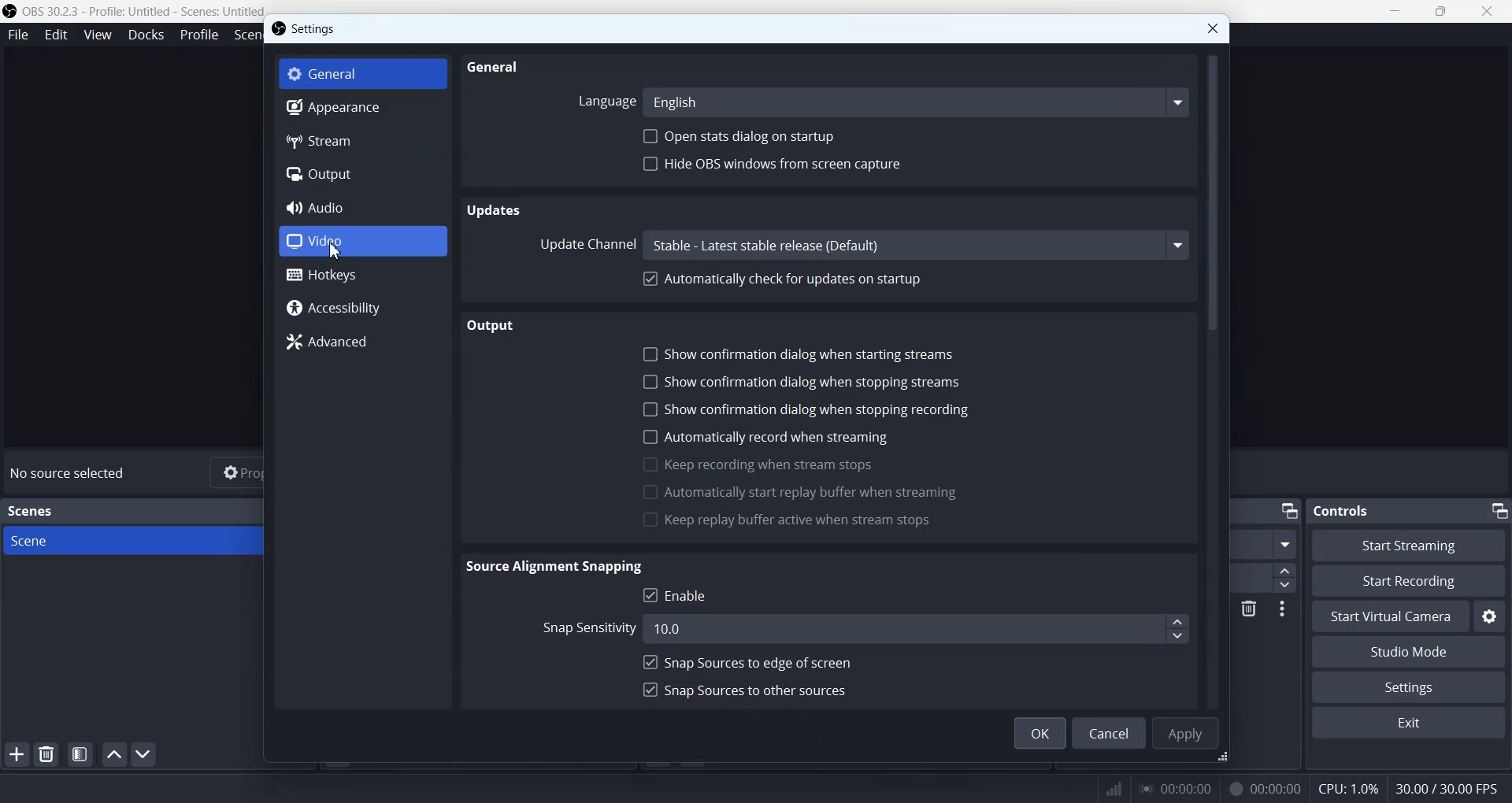 This screenshot has height=803, width=1512. What do you see at coordinates (1226, 757) in the screenshot?
I see `Window adjuster` at bounding box center [1226, 757].